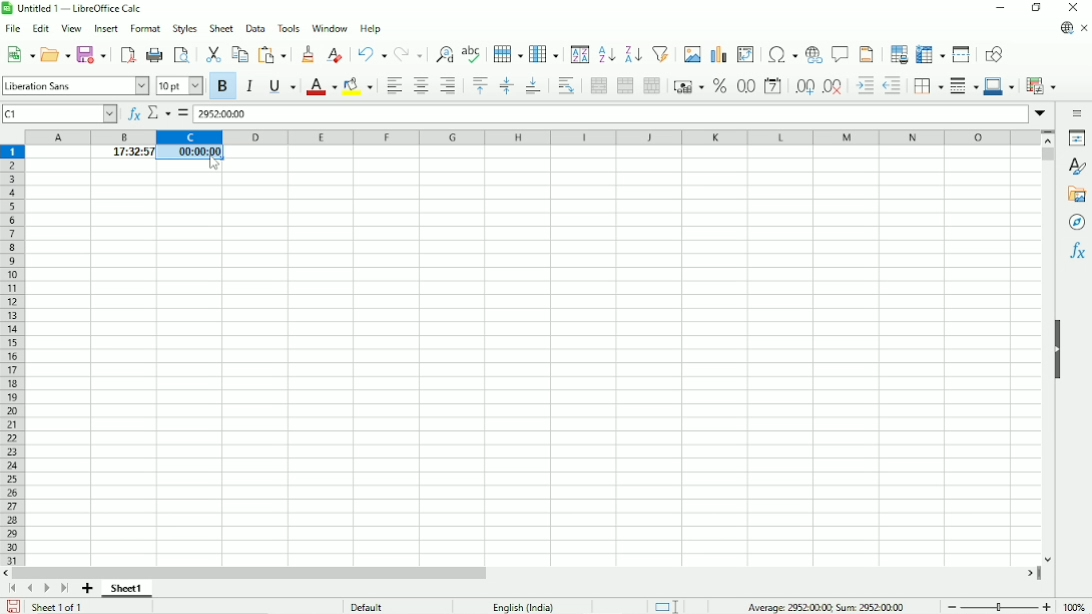 Image resolution: width=1092 pixels, height=614 pixels. Describe the element at coordinates (158, 113) in the screenshot. I see `Select function` at that location.